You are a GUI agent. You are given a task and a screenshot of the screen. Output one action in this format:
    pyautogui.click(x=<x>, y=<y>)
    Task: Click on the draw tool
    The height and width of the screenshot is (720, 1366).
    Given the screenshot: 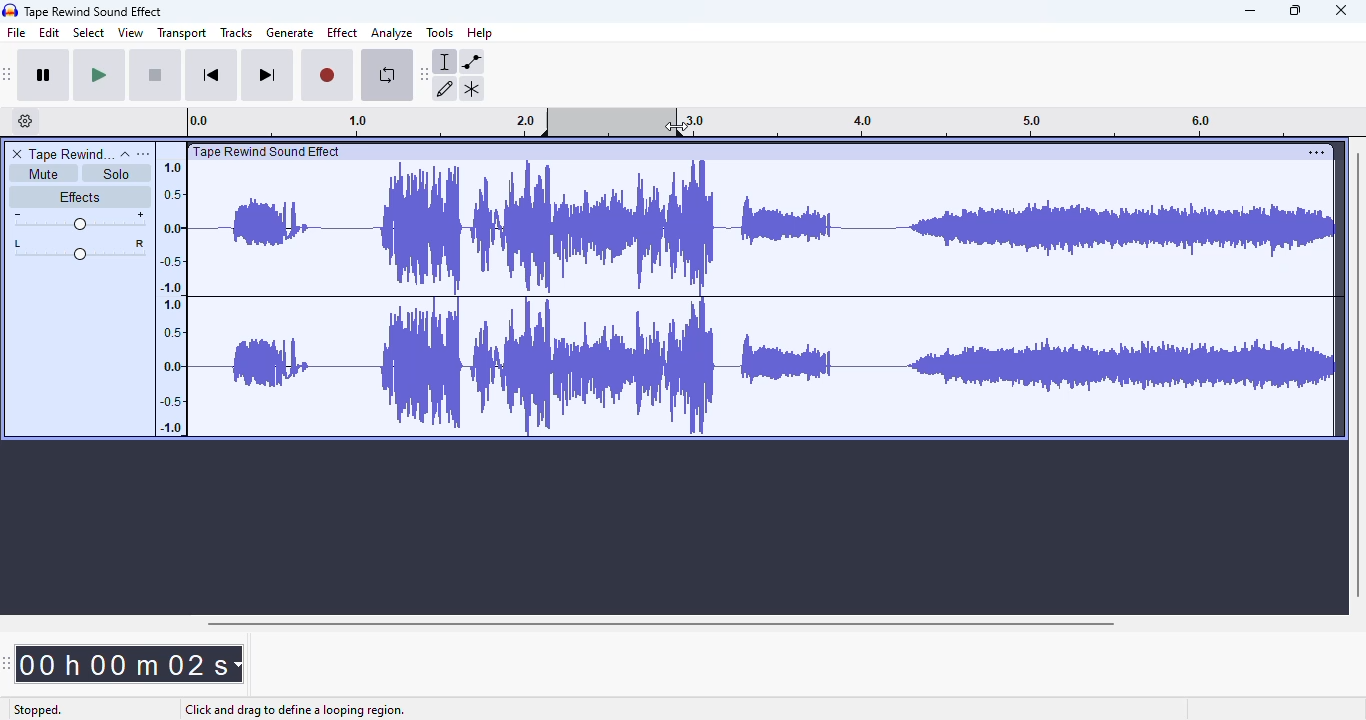 What is the action you would take?
    pyautogui.click(x=447, y=88)
    